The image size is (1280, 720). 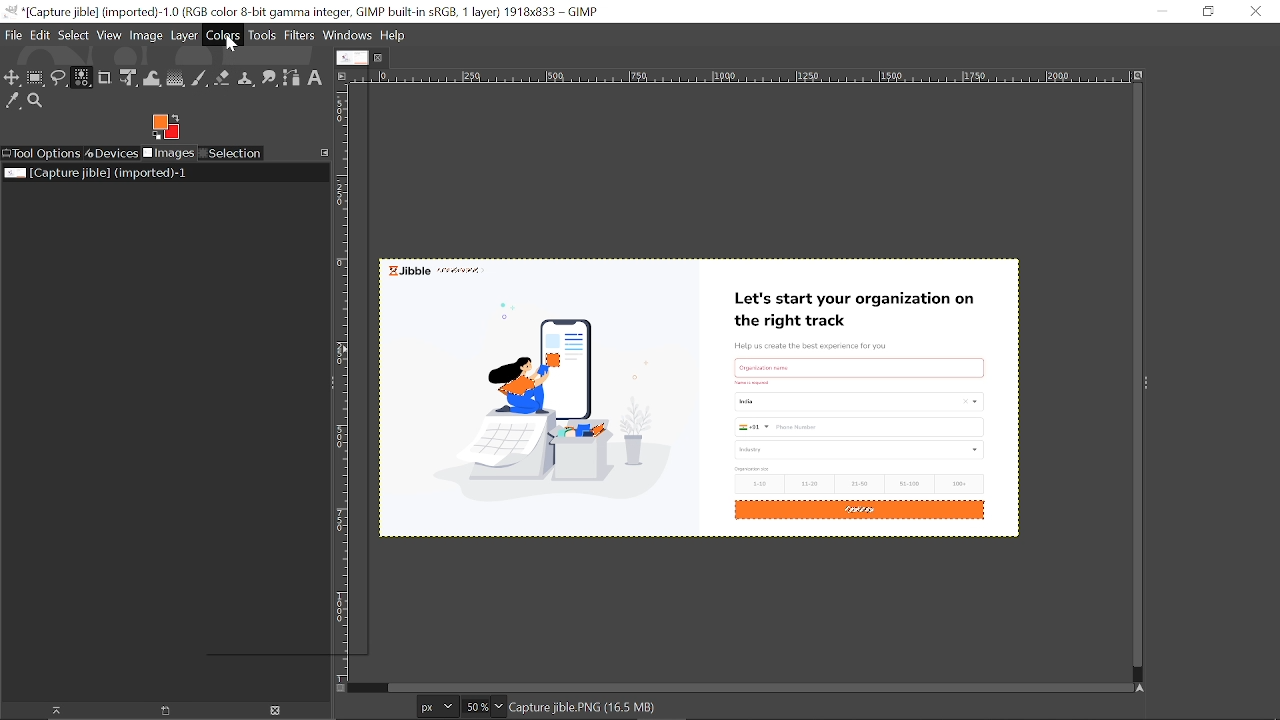 I want to click on Eraser tool, so click(x=222, y=78).